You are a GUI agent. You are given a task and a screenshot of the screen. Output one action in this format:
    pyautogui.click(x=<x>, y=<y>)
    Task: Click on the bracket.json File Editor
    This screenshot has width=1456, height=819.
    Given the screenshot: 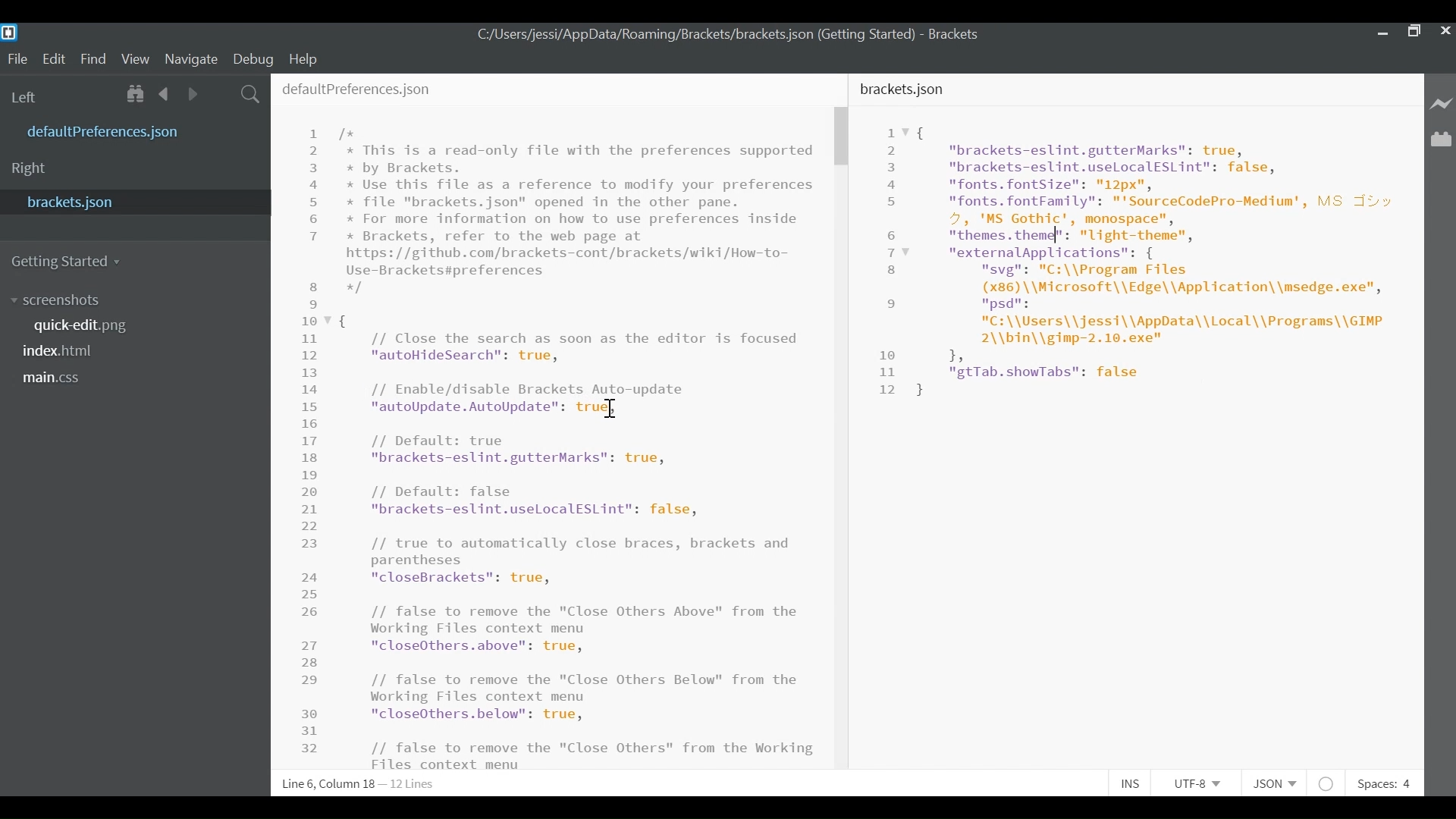 What is the action you would take?
    pyautogui.click(x=1136, y=423)
    